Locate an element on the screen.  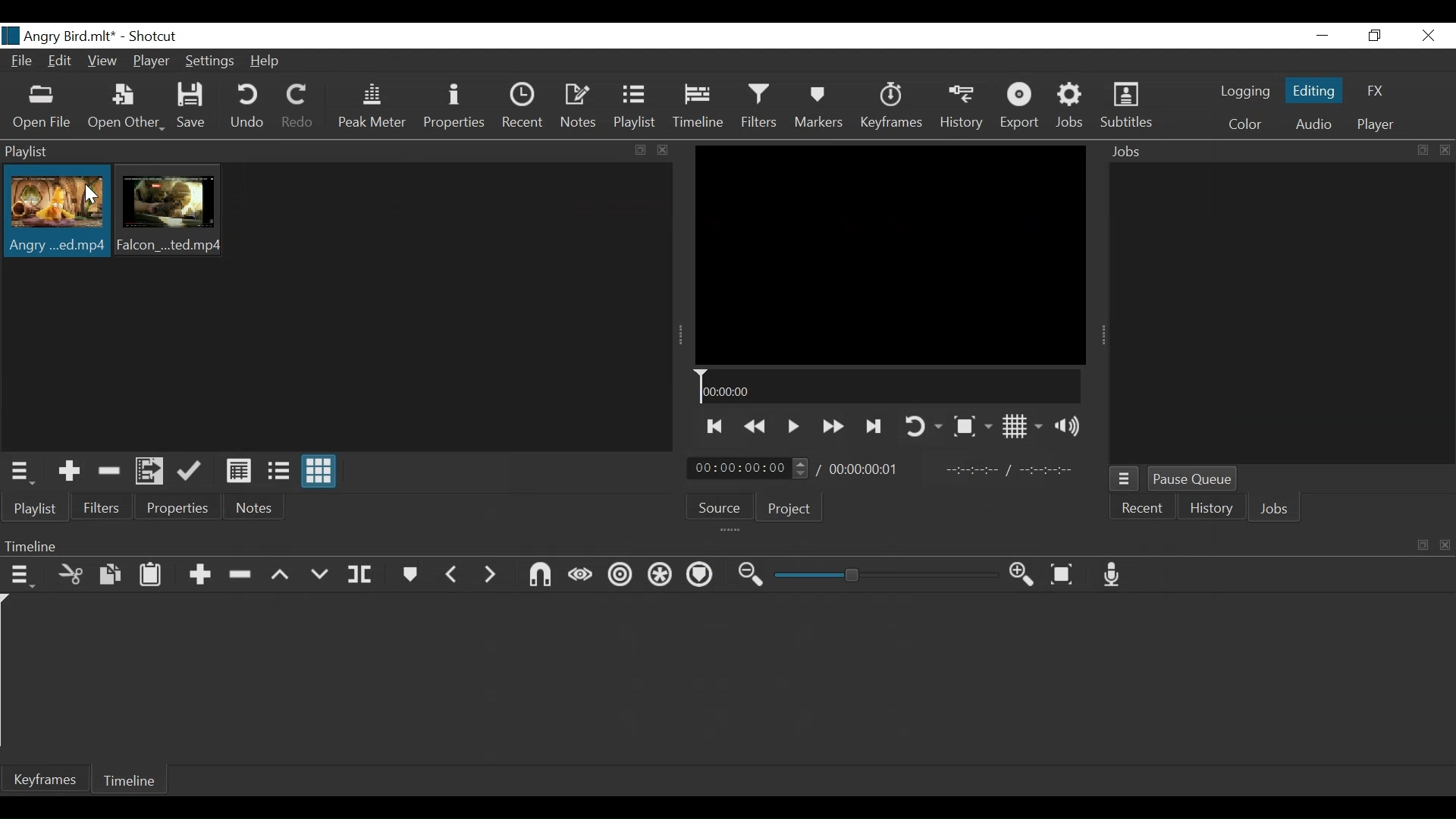
Play backward quickly is located at coordinates (756, 428).